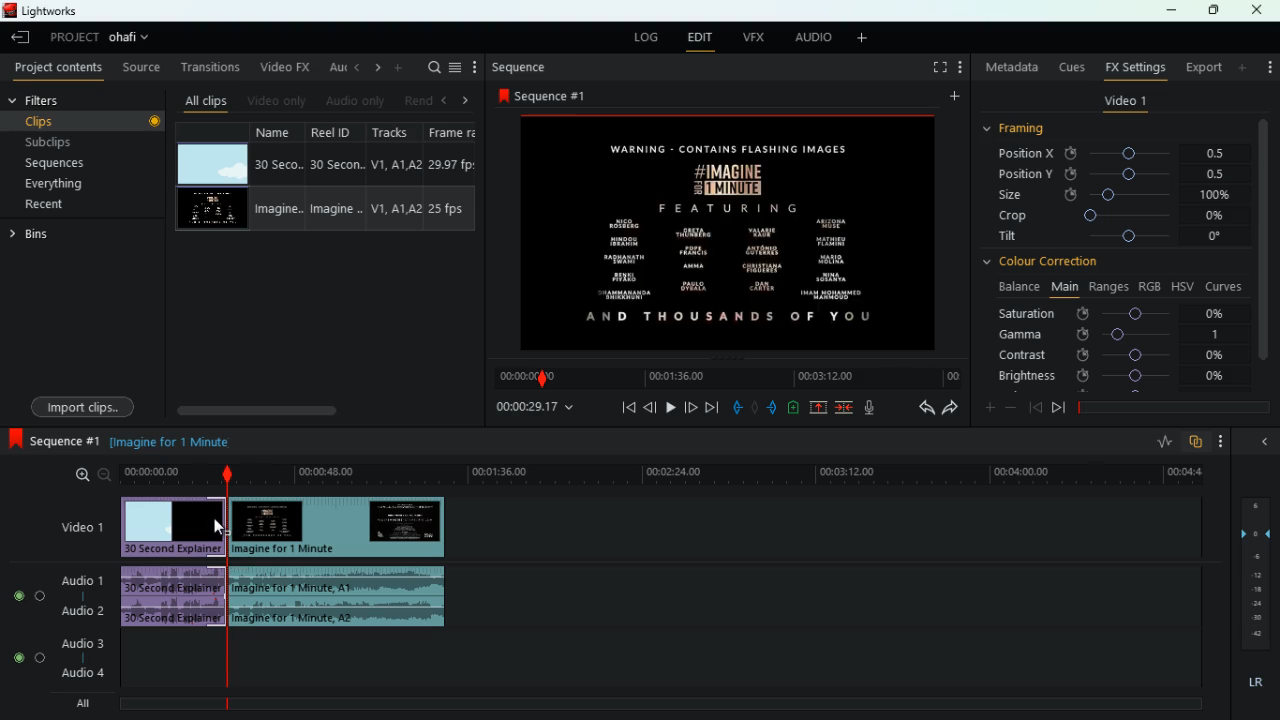 The width and height of the screenshot is (1280, 720). Describe the element at coordinates (1134, 66) in the screenshot. I see `fx settings` at that location.